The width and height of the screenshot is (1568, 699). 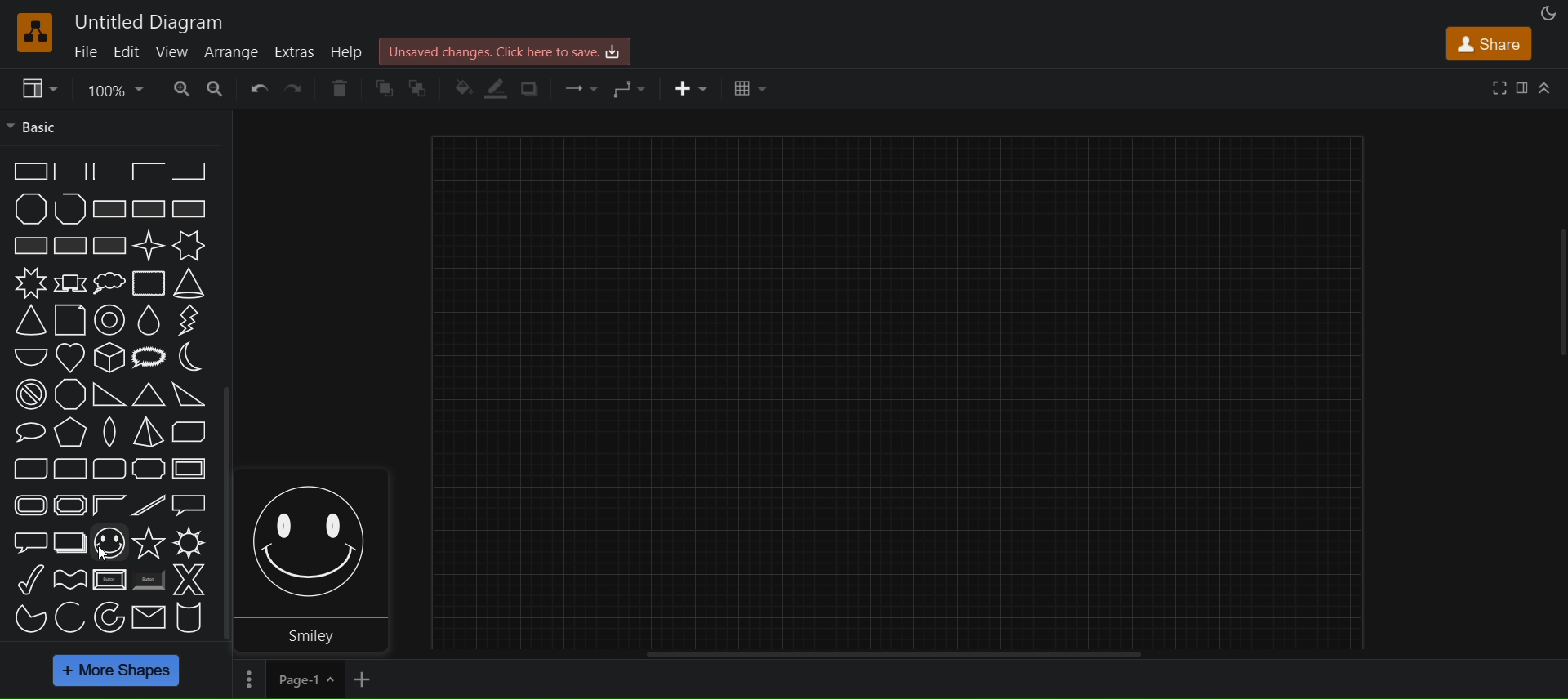 I want to click on help, so click(x=350, y=51).